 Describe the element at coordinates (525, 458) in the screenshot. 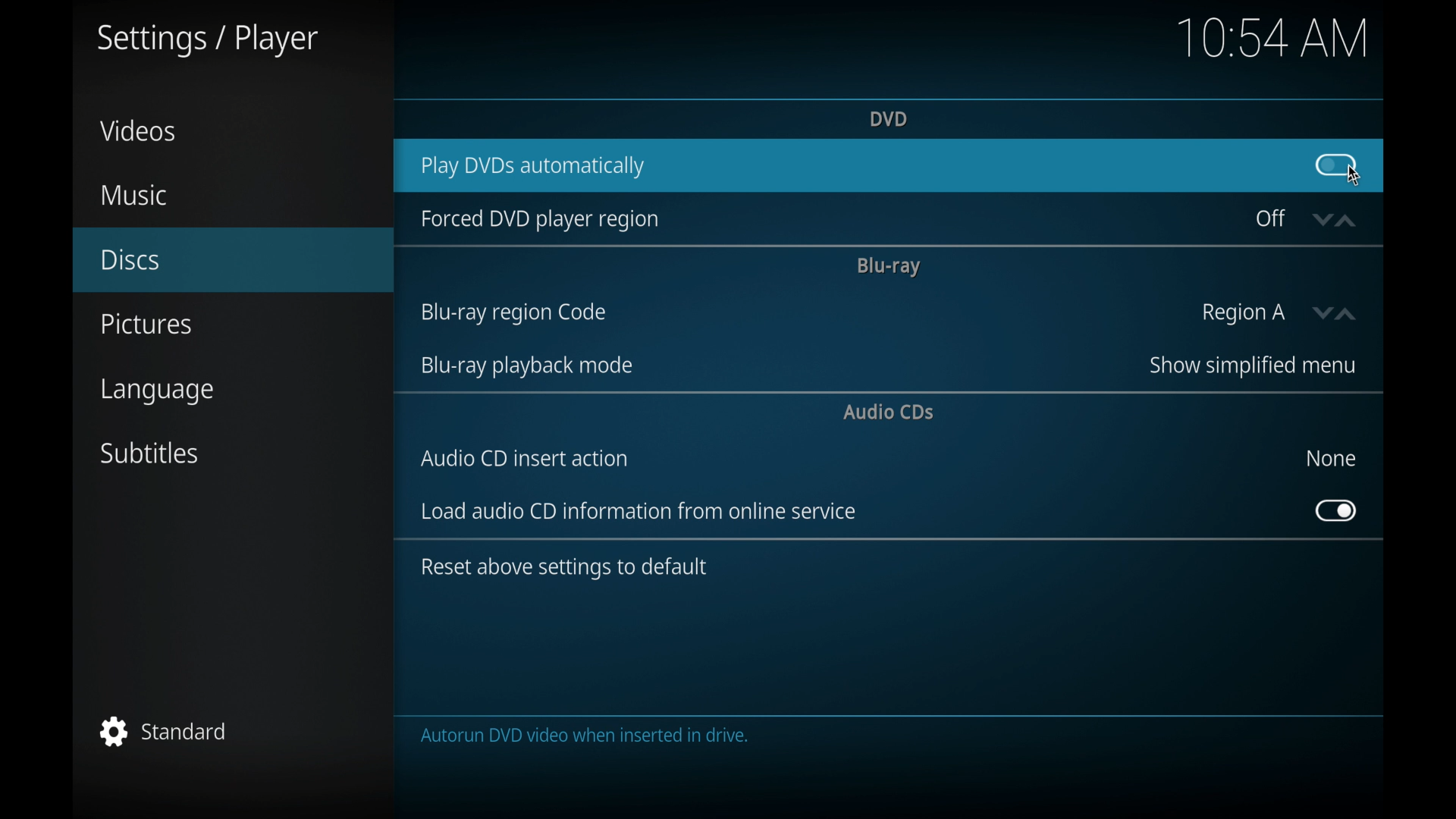

I see `audio cd insert action` at that location.